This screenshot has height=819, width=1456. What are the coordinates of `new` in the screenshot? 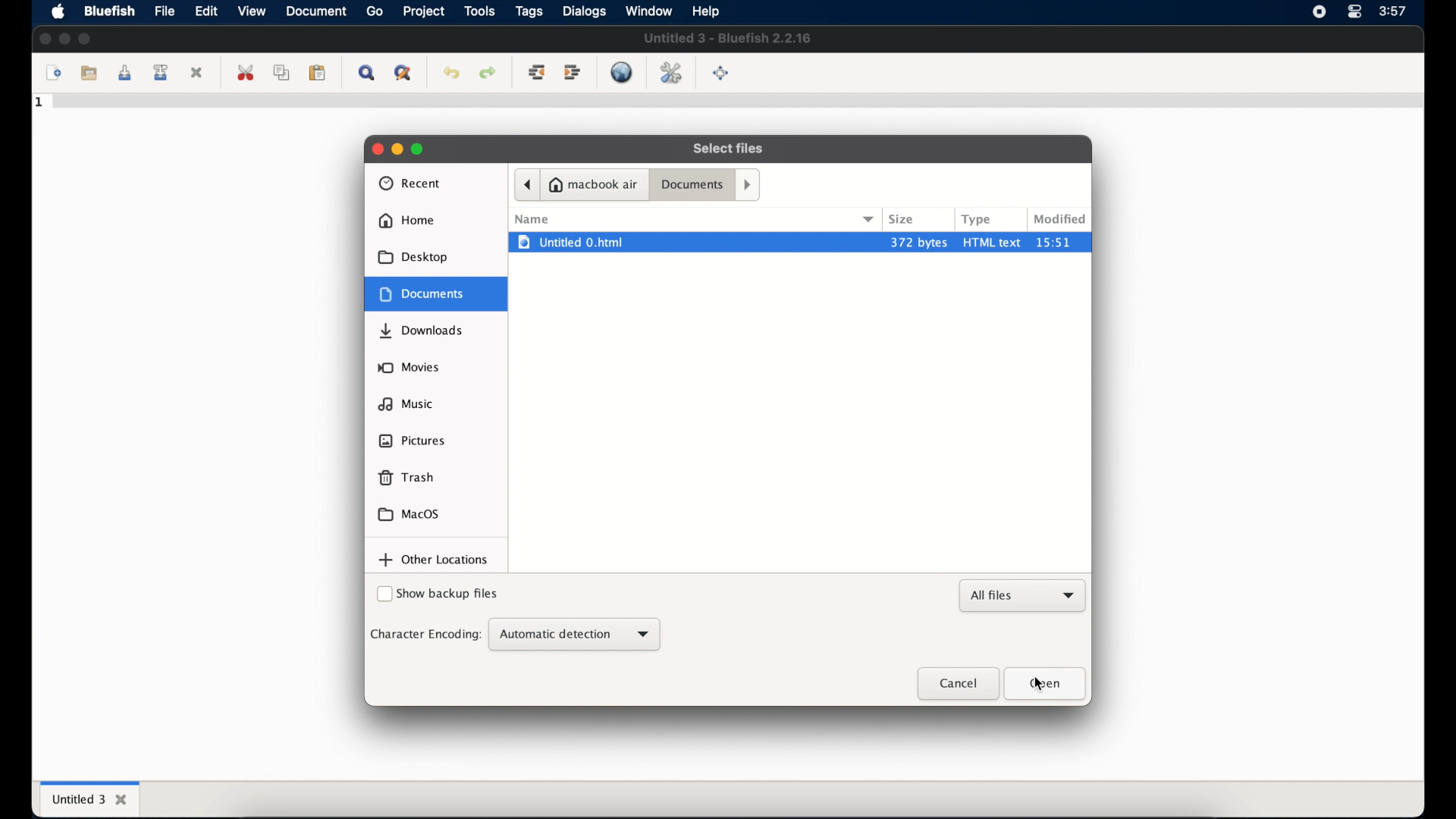 It's located at (52, 74).